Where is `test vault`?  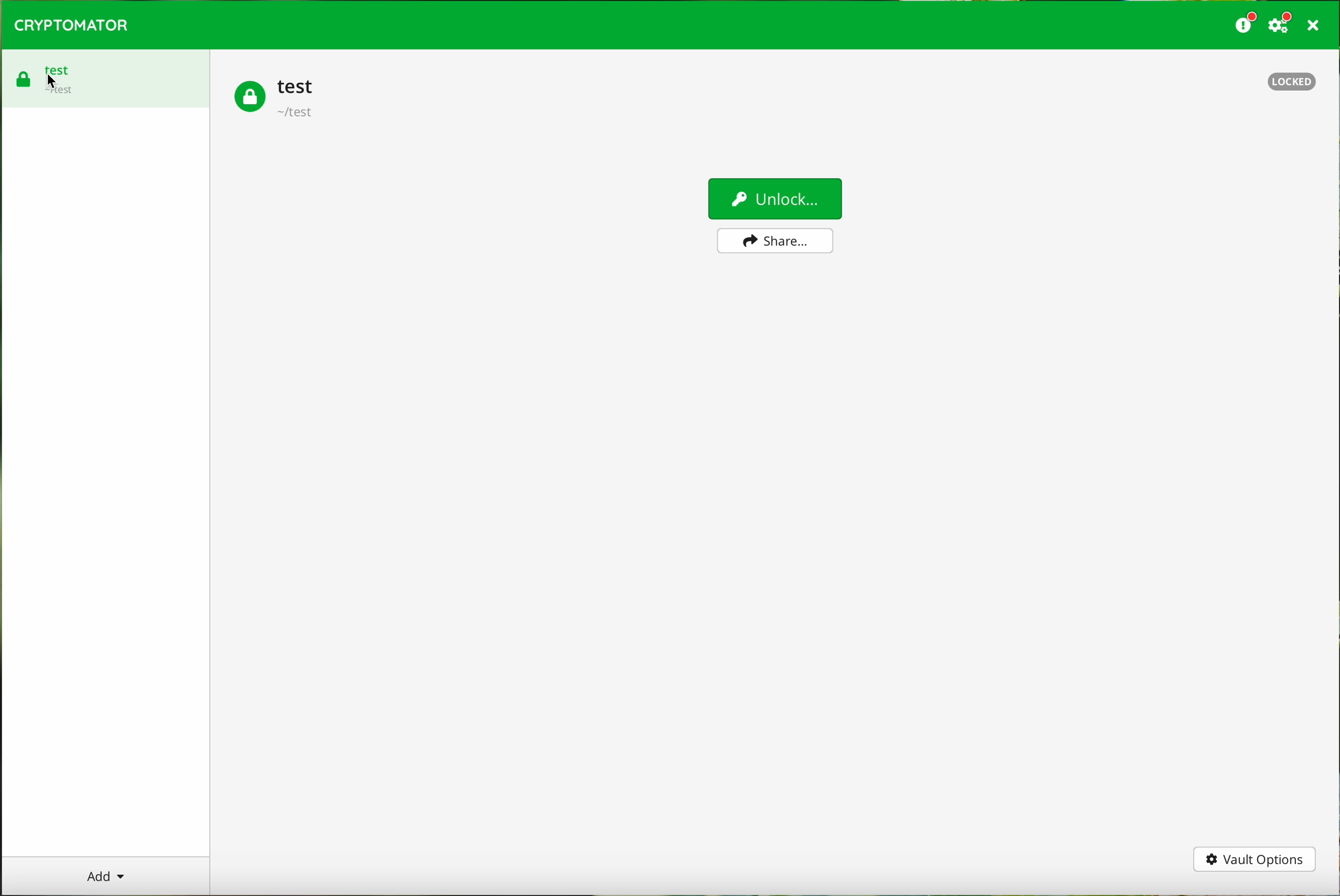
test vault is located at coordinates (106, 77).